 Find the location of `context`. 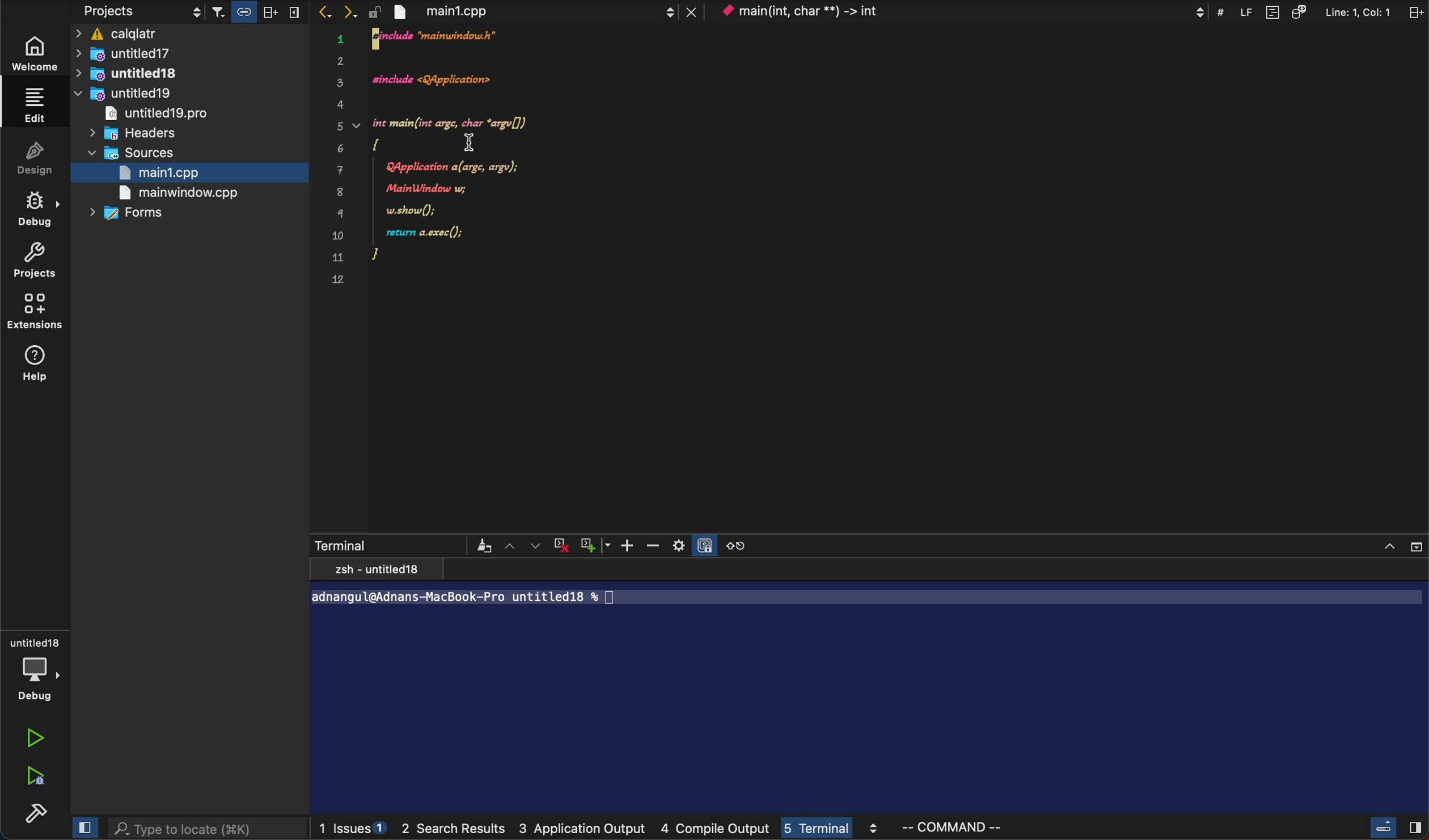

context is located at coordinates (954, 12).